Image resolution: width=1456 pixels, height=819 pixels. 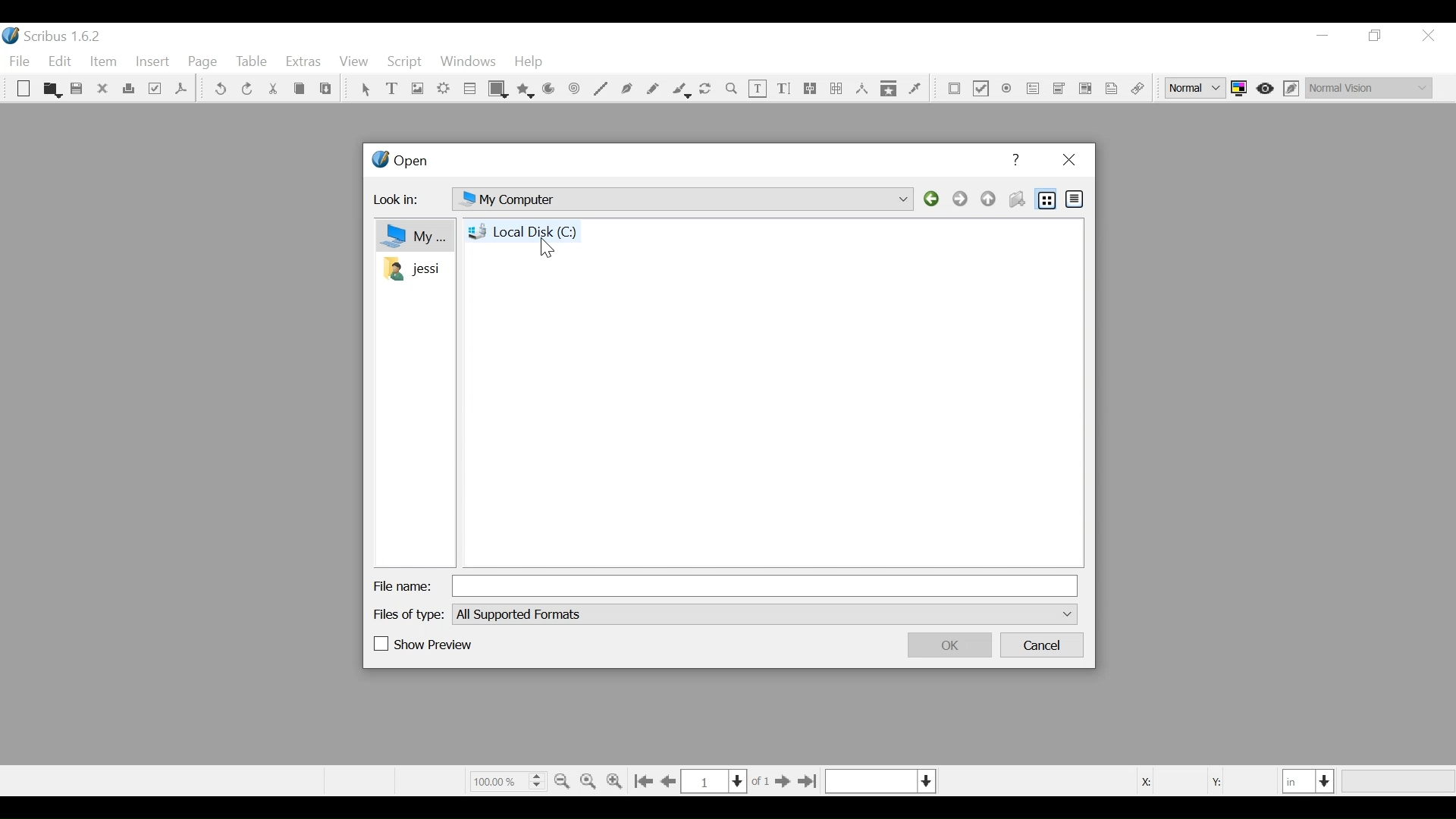 I want to click on Zoom Factor, so click(x=507, y=780).